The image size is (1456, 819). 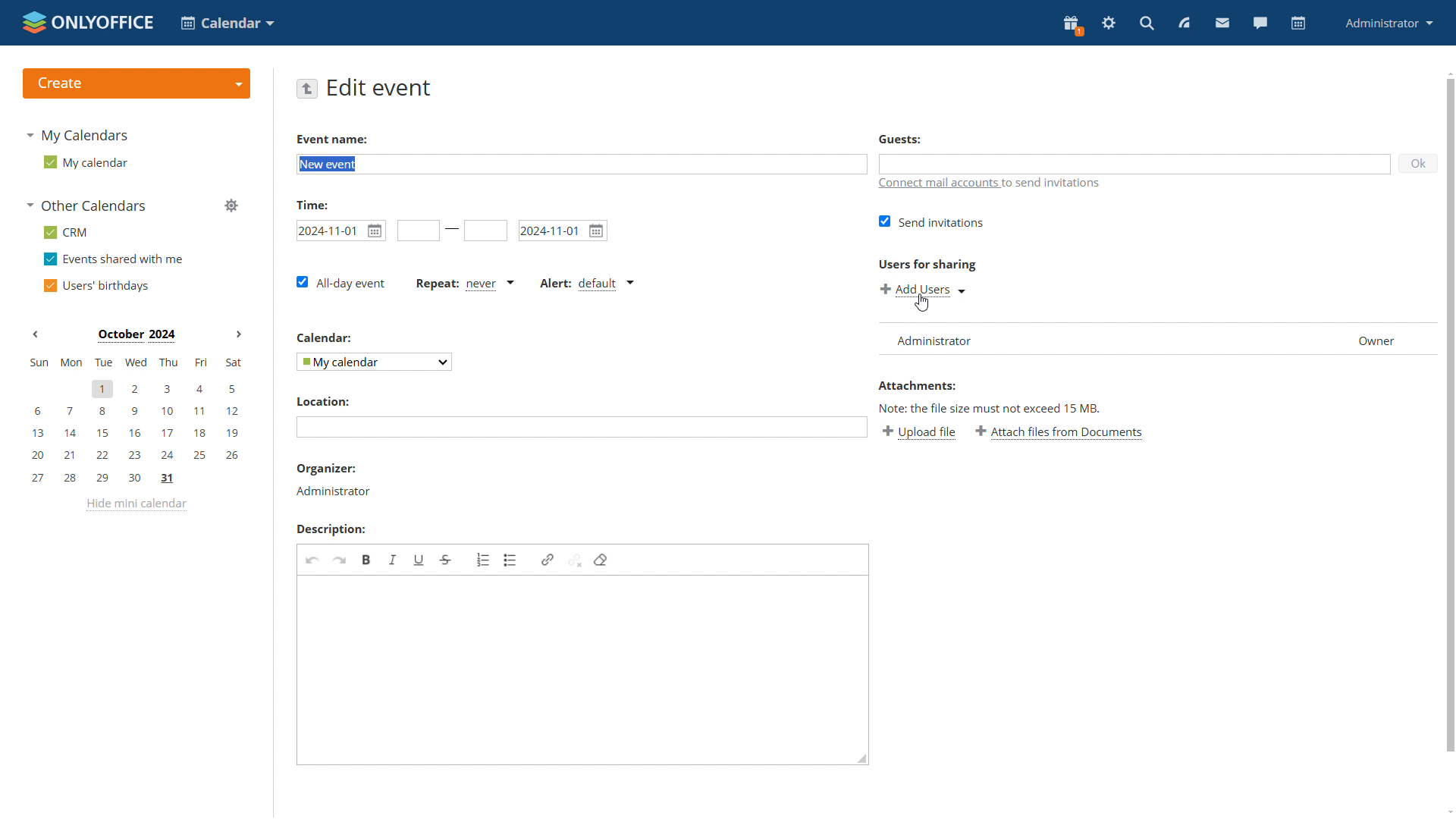 What do you see at coordinates (1072, 24) in the screenshot?
I see `present` at bounding box center [1072, 24].